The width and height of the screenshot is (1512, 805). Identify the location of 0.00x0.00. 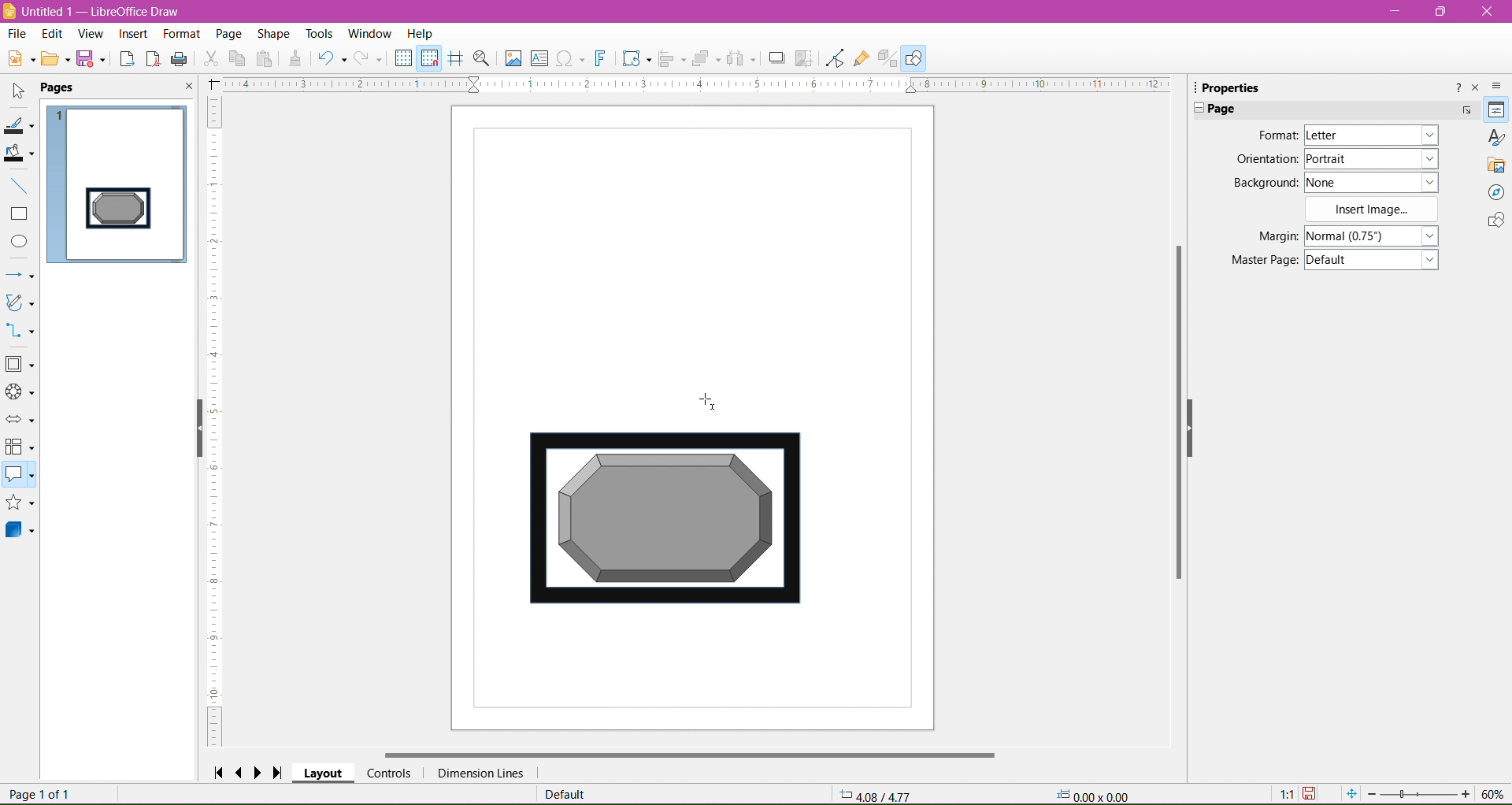
(1097, 795).